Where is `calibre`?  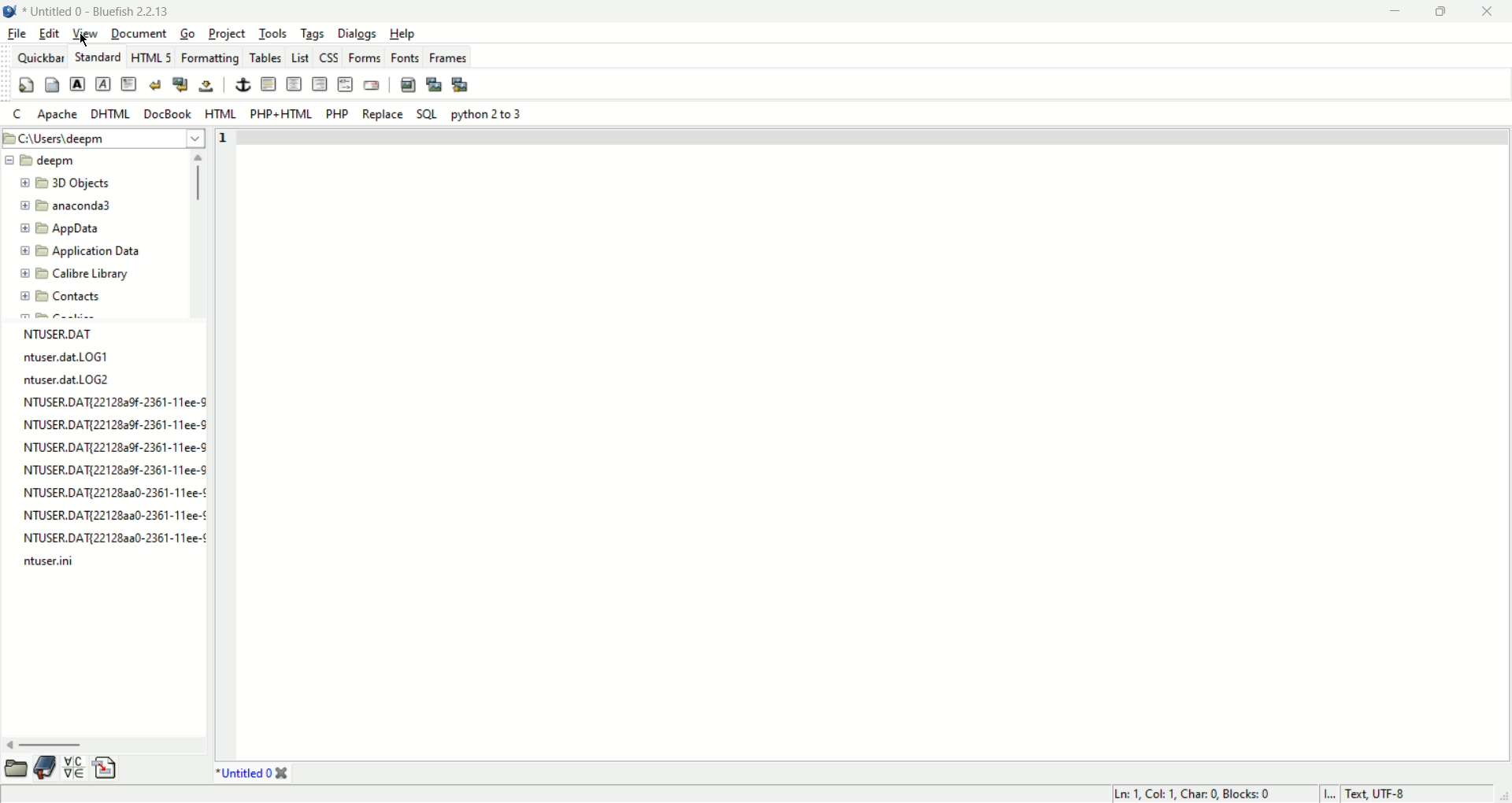 calibre is located at coordinates (74, 276).